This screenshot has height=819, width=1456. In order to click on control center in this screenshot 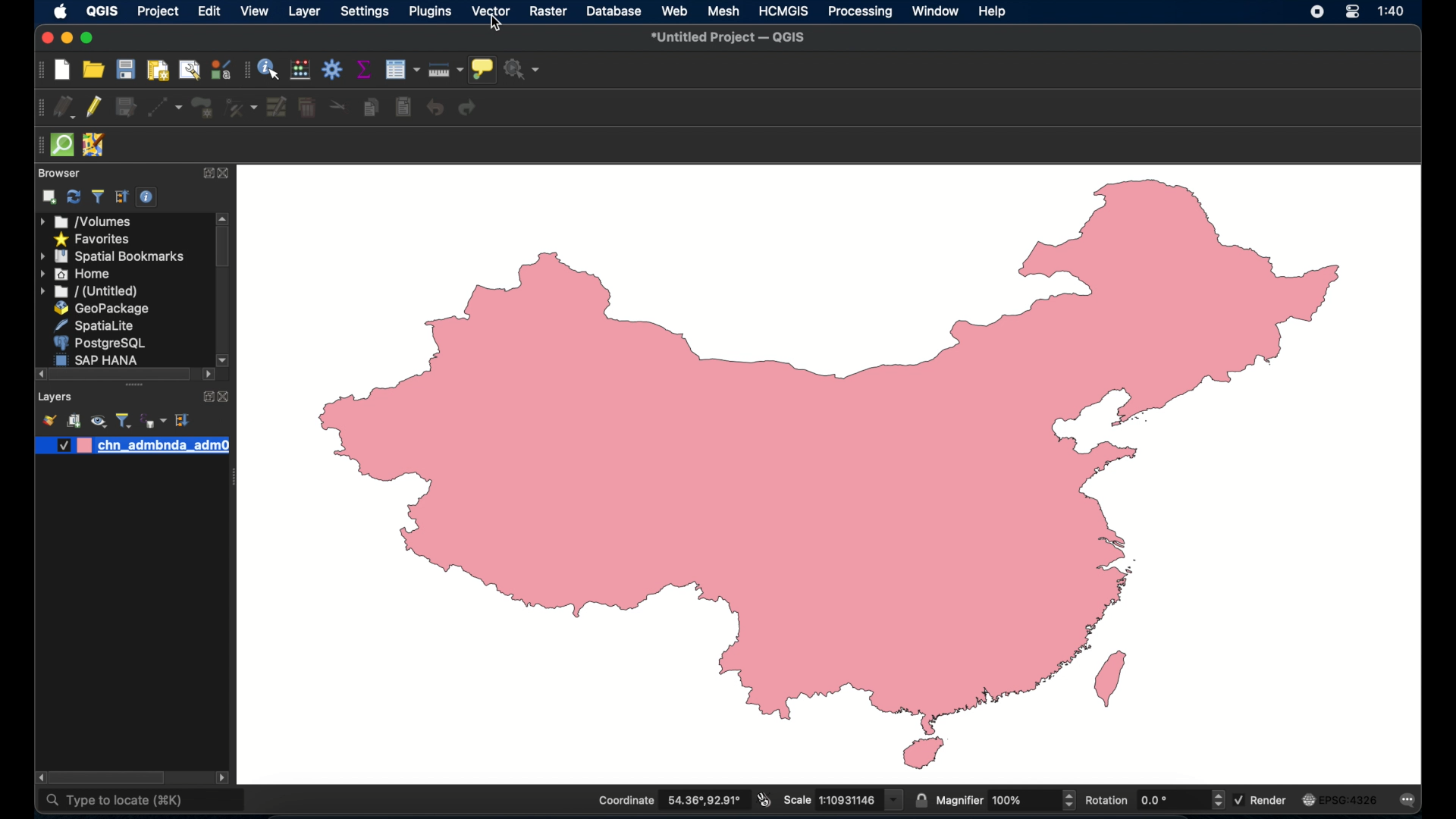, I will do `click(1351, 14)`.